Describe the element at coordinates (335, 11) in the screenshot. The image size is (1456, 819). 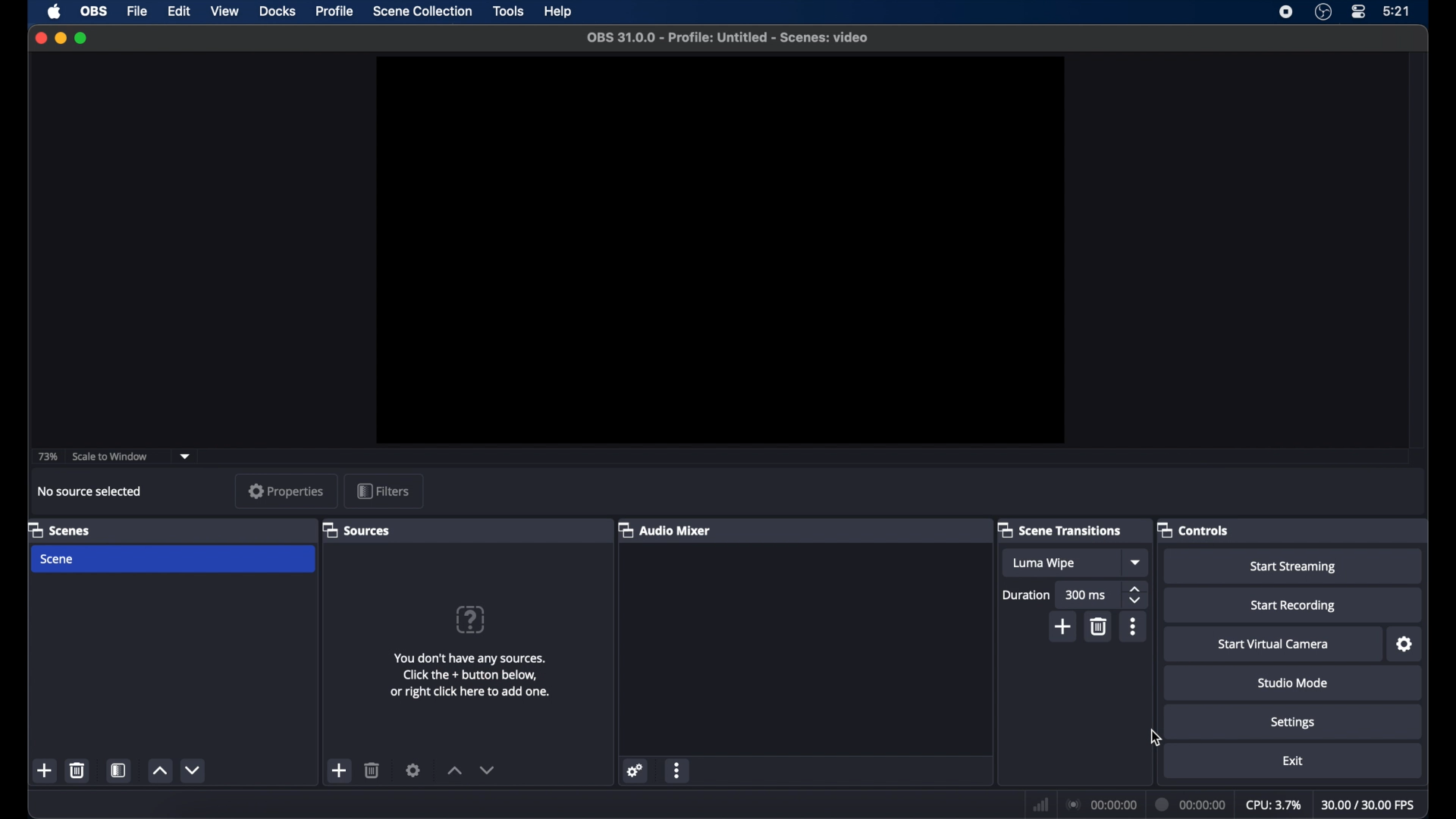
I see `profile` at that location.